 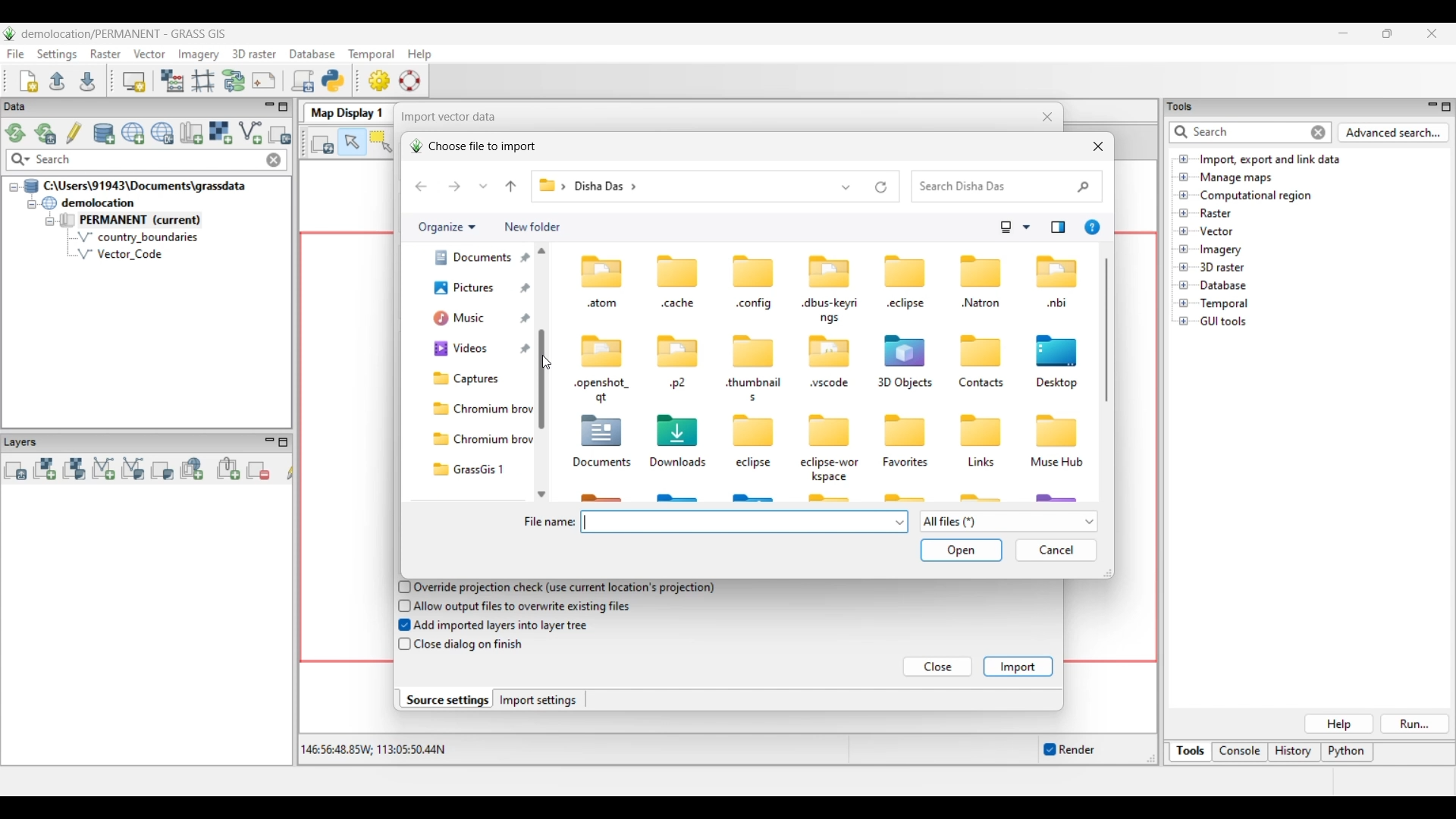 What do you see at coordinates (603, 391) in the screenshot?
I see `-openshot_
at` at bounding box center [603, 391].